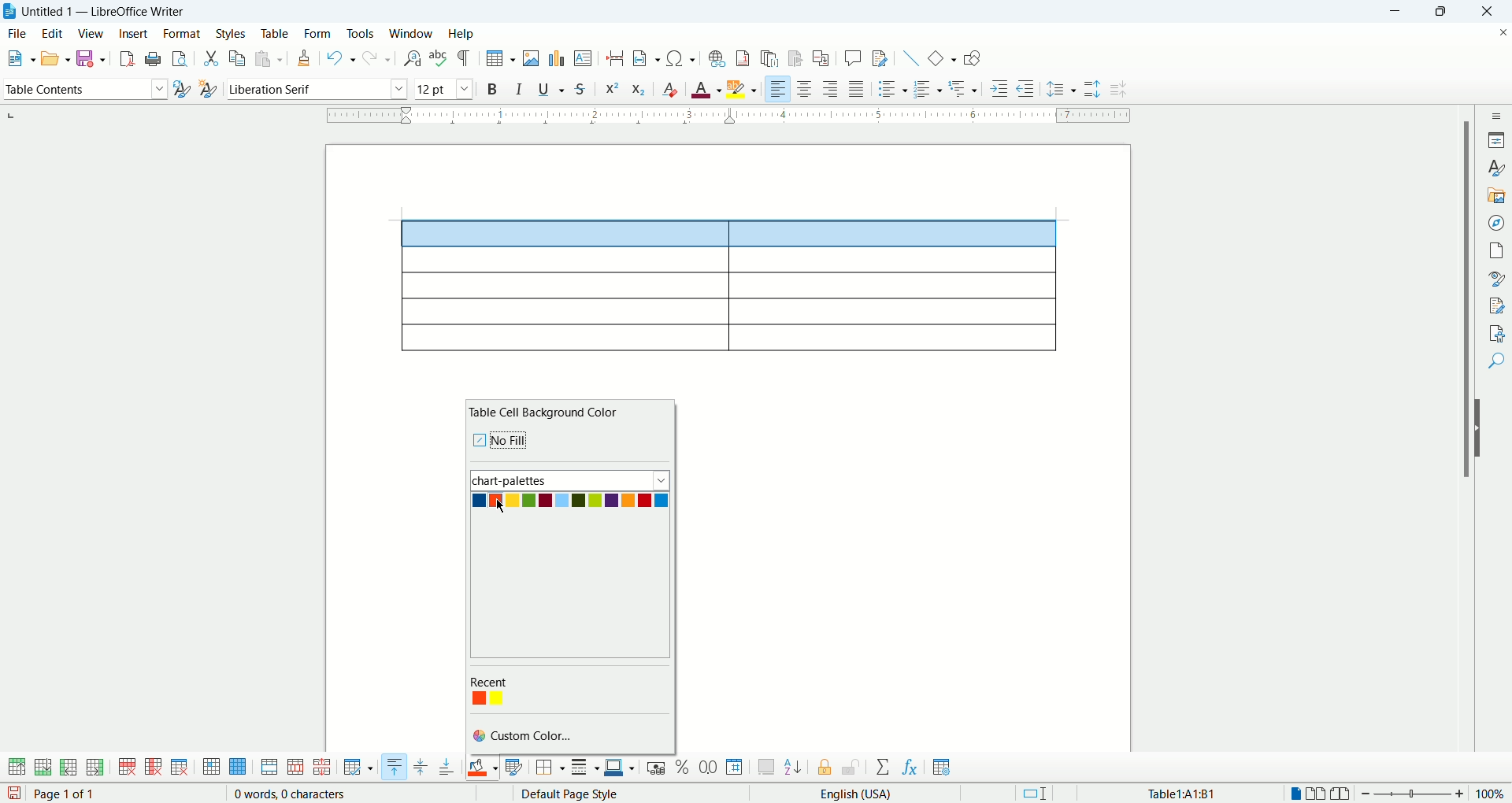 The width and height of the screenshot is (1512, 803). What do you see at coordinates (238, 768) in the screenshot?
I see `select table` at bounding box center [238, 768].